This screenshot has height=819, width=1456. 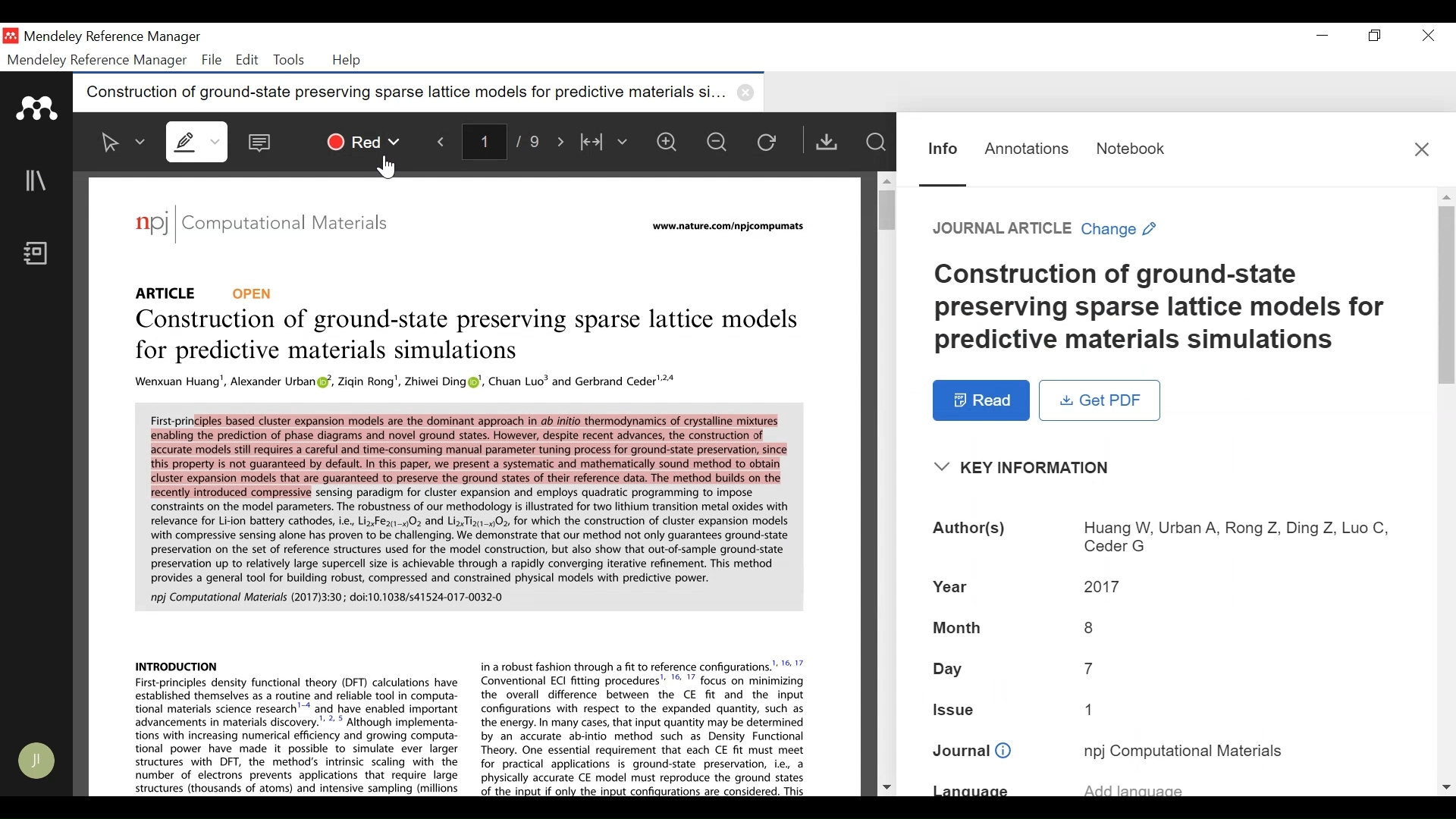 I want to click on 2017, so click(x=1097, y=585).